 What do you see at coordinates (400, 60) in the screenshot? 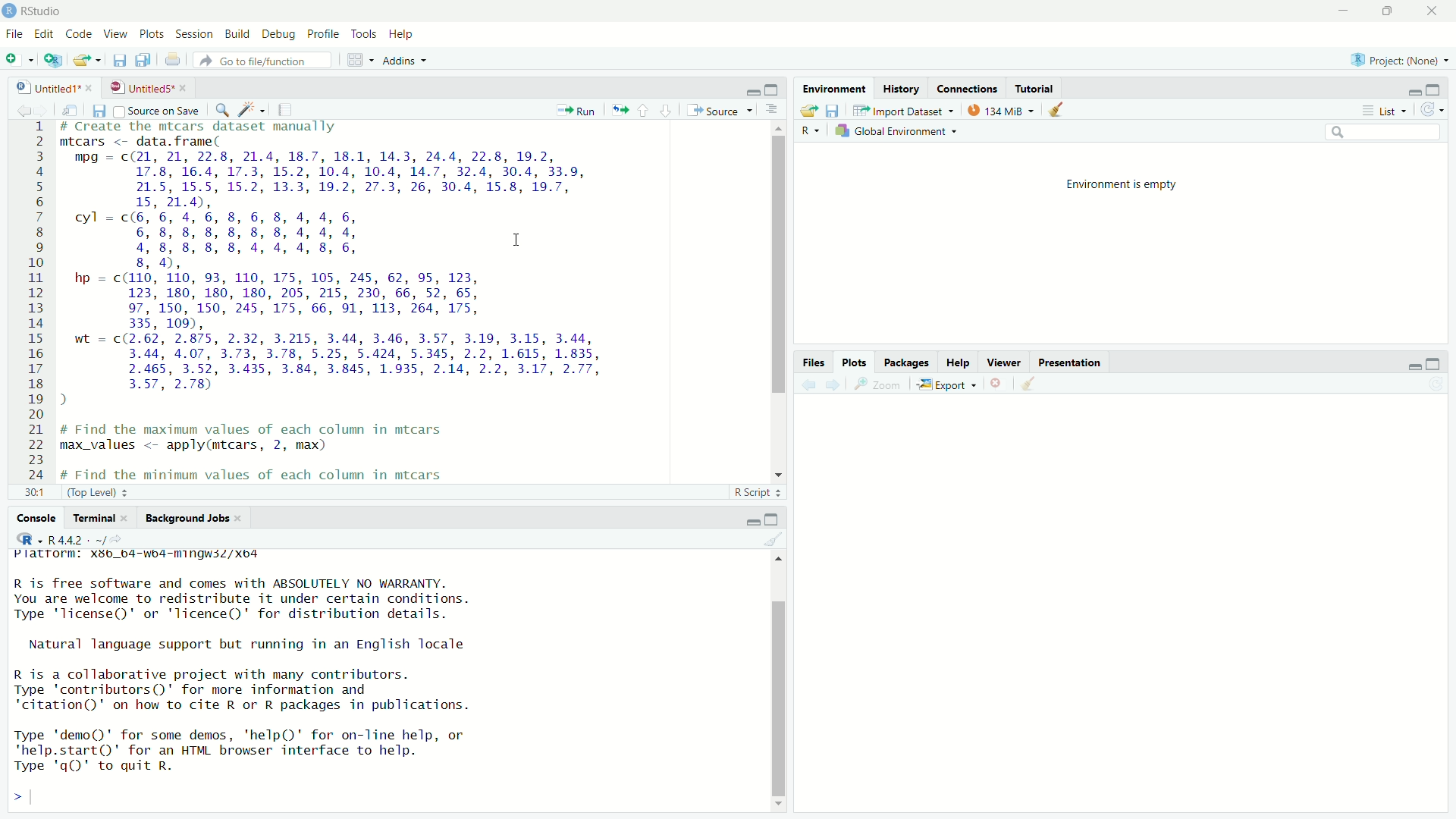
I see `+ Addins +` at bounding box center [400, 60].